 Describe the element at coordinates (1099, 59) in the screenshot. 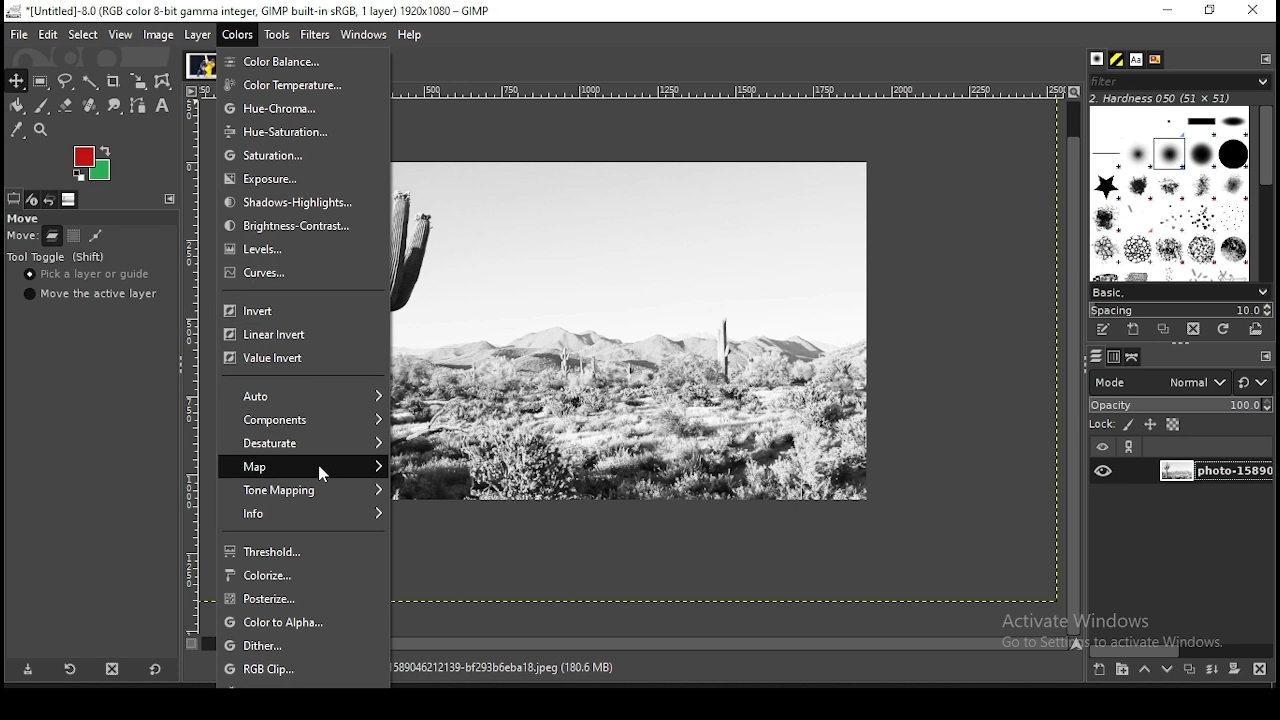

I see `brushes` at that location.